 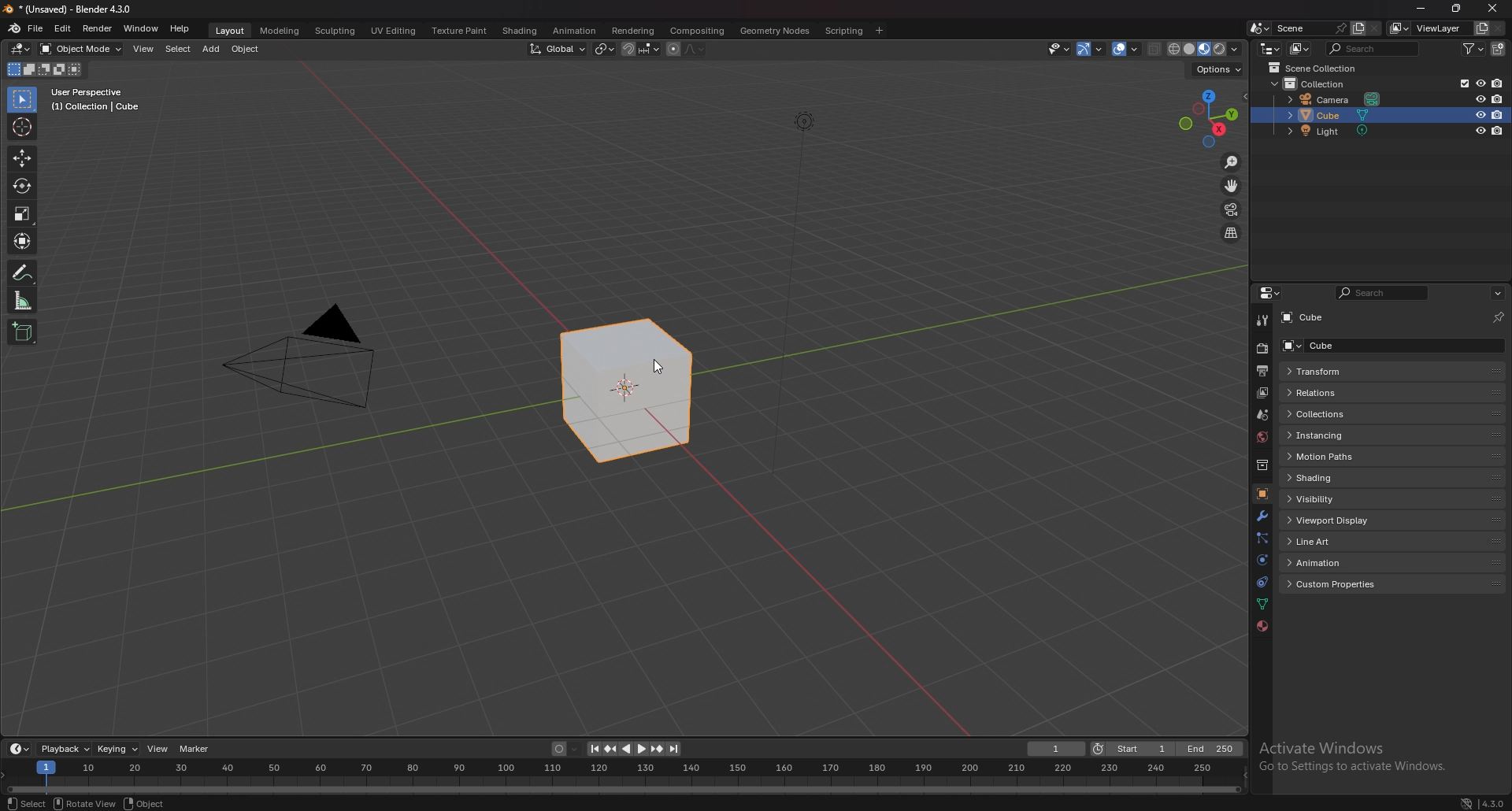 I want to click on rendering, so click(x=632, y=31).